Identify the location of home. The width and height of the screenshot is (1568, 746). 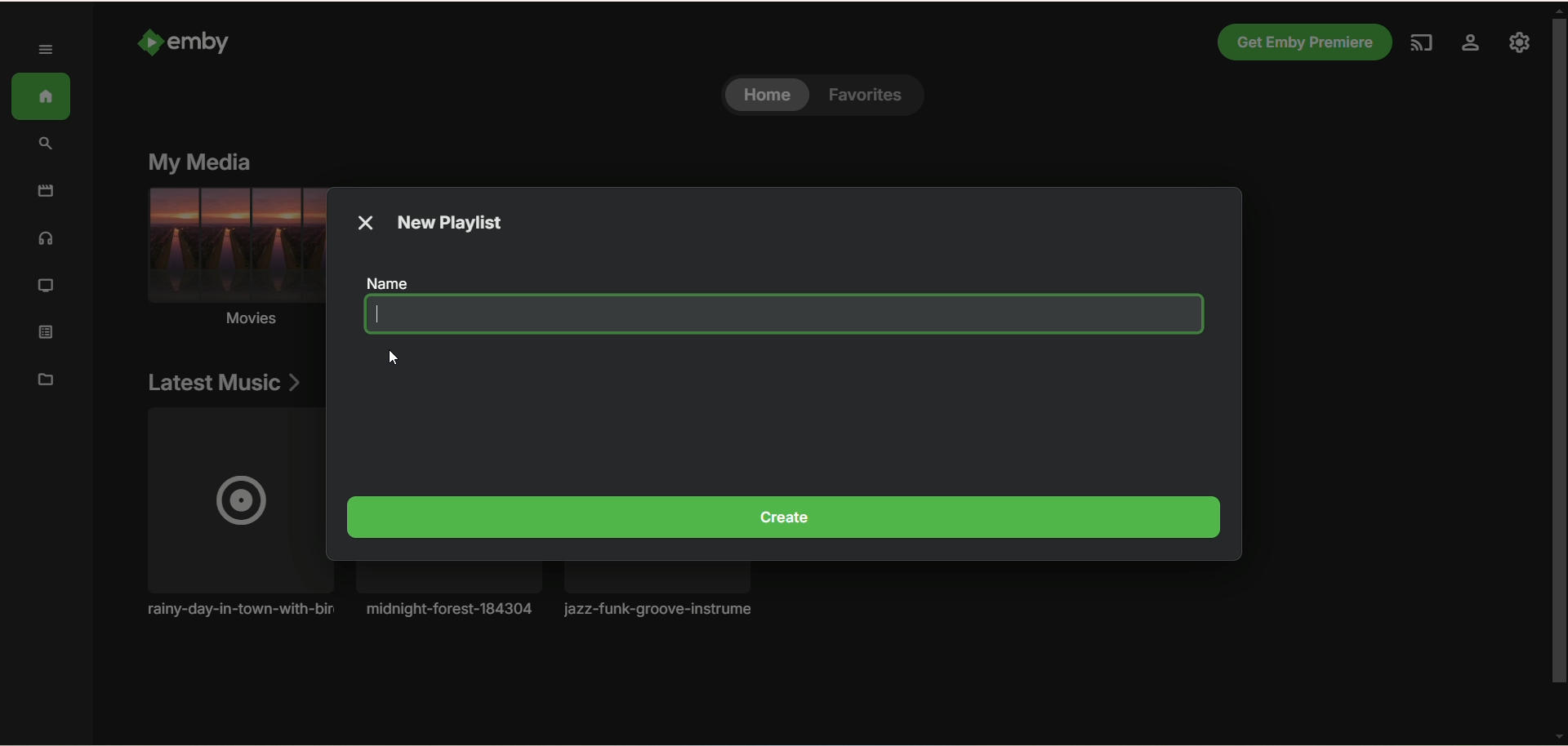
(767, 96).